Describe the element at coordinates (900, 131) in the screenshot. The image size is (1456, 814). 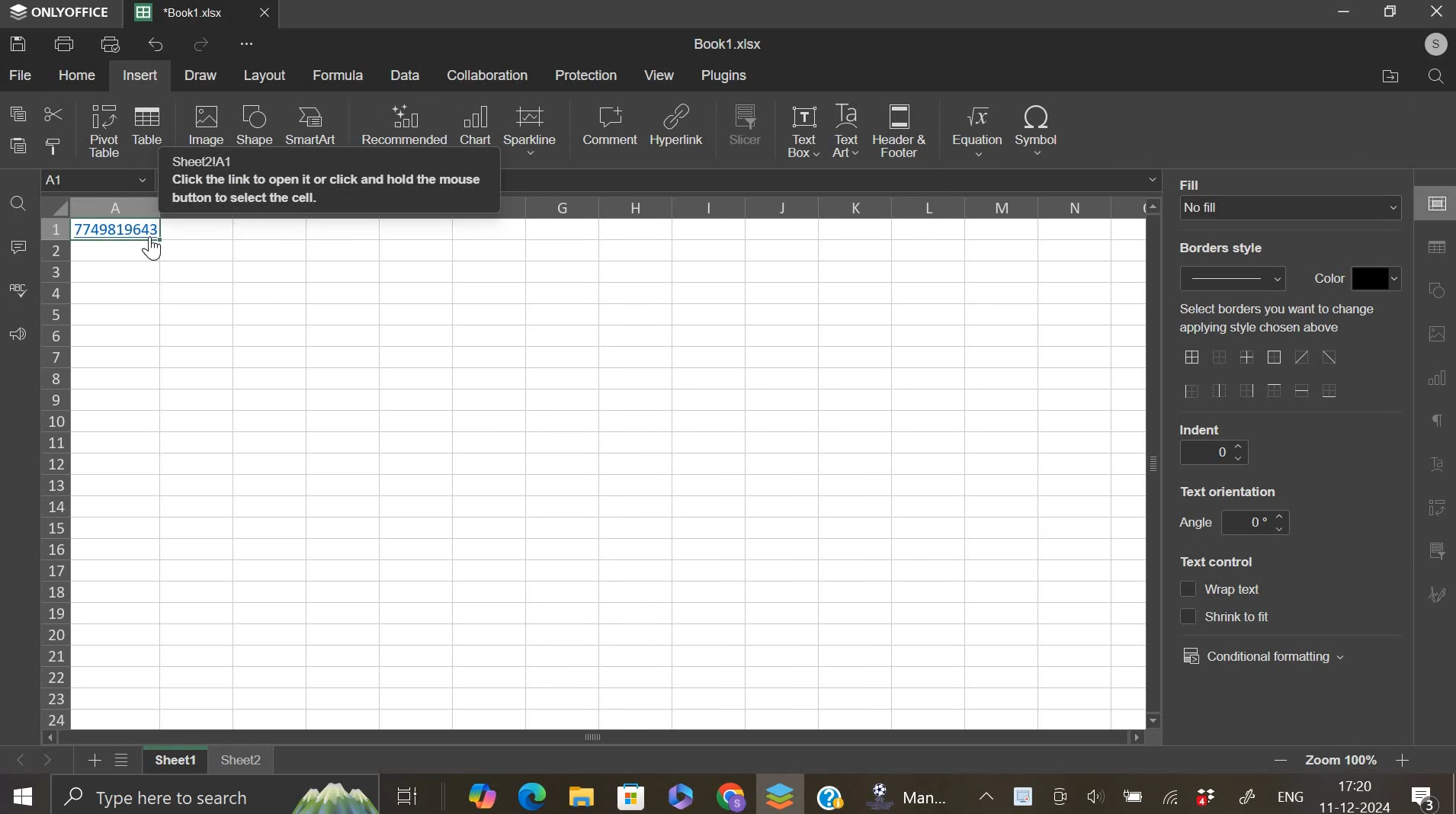
I see `header & footer` at that location.